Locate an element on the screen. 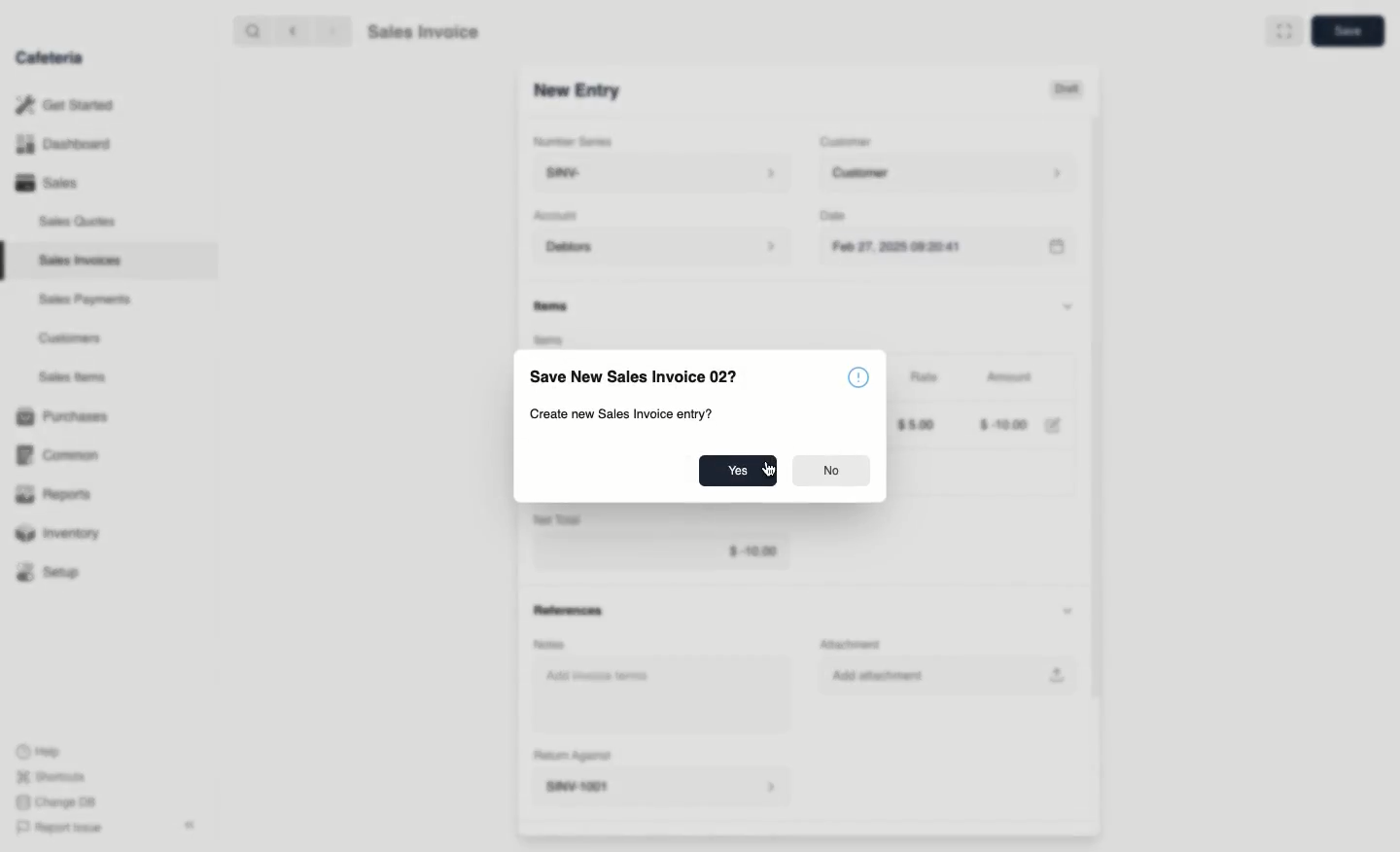  Create new Sales Invoice entry? is located at coordinates (622, 412).